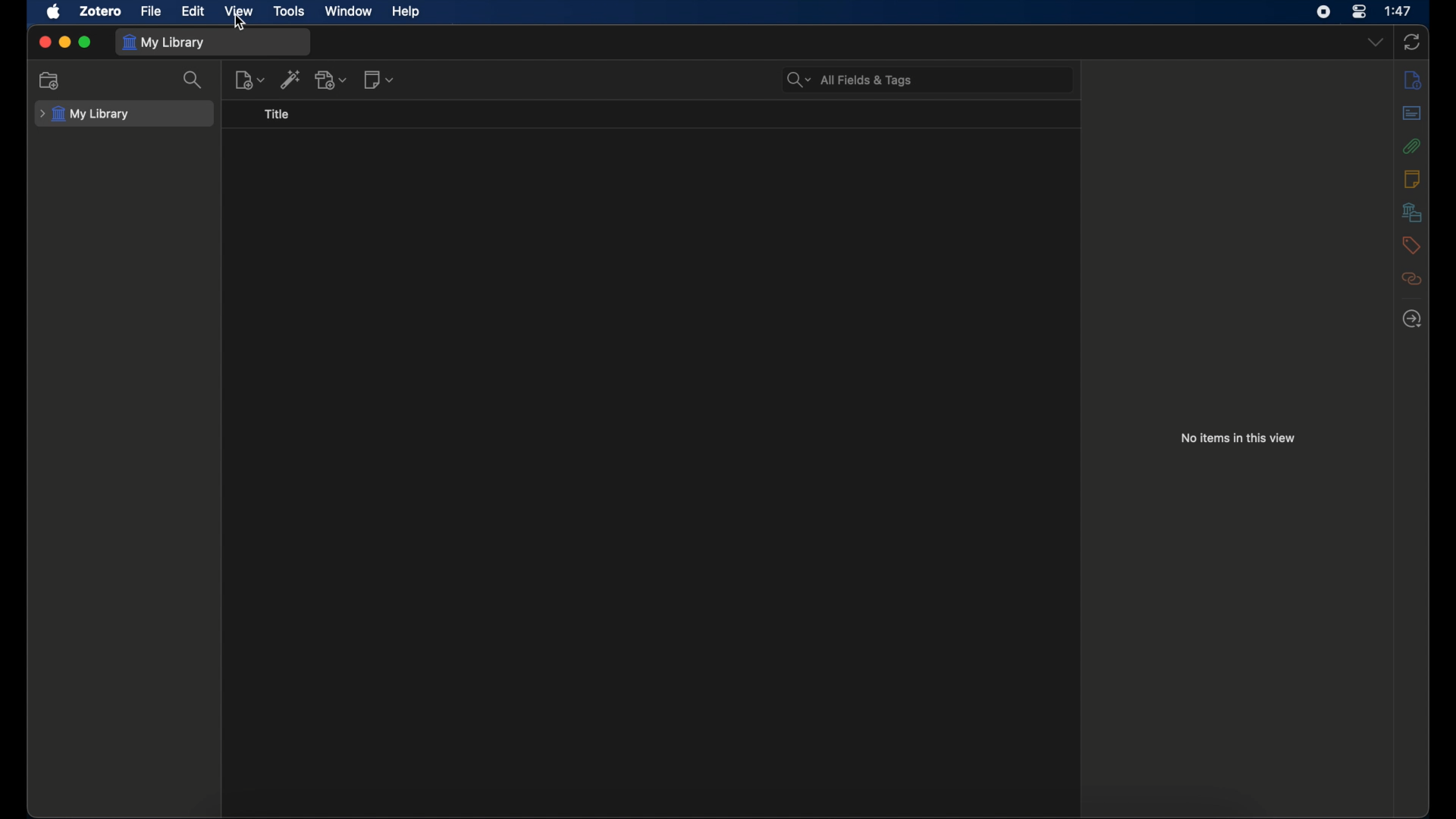  What do you see at coordinates (405, 12) in the screenshot?
I see `help` at bounding box center [405, 12].